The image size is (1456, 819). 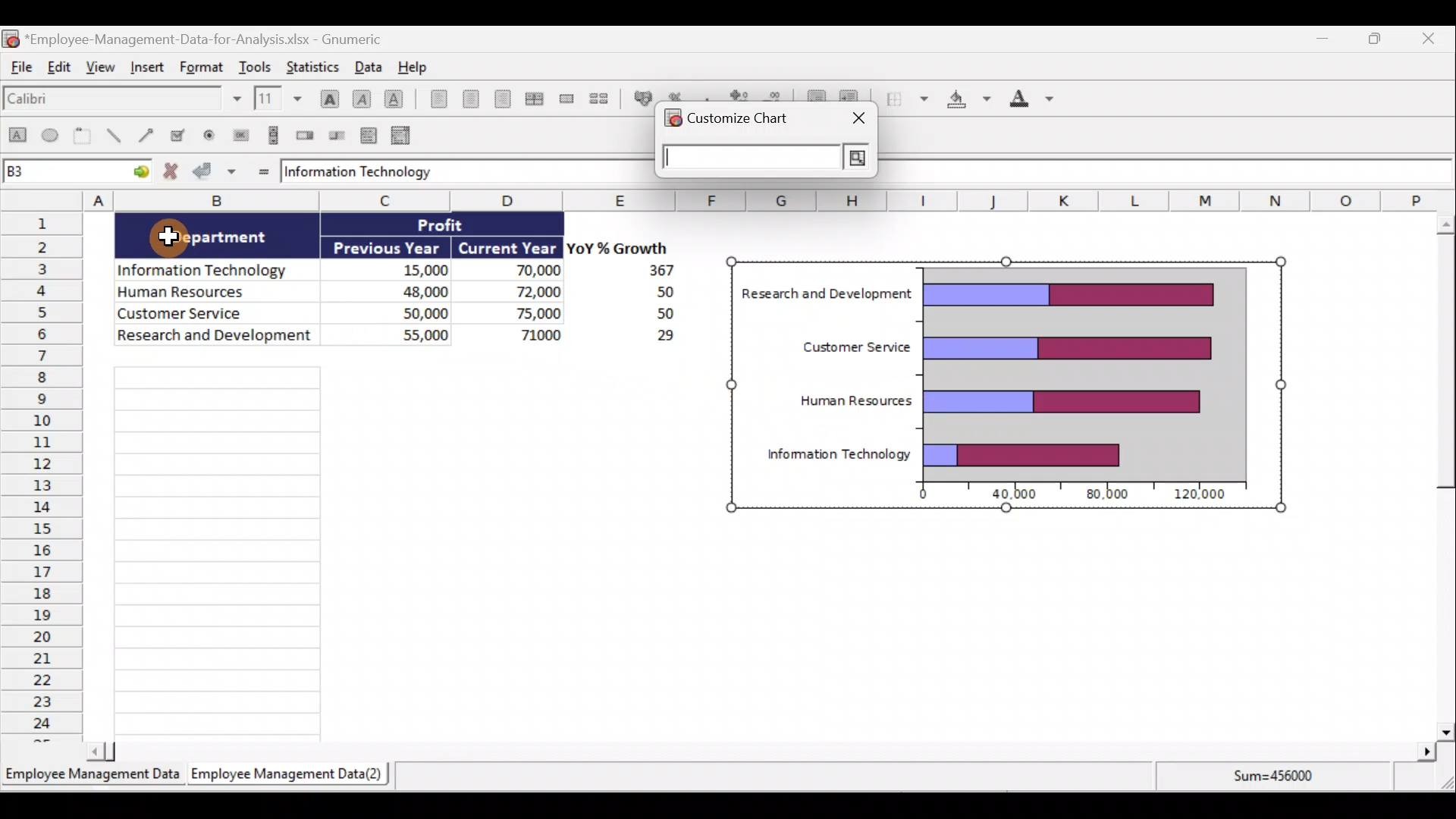 I want to click on Accept change, so click(x=217, y=170).